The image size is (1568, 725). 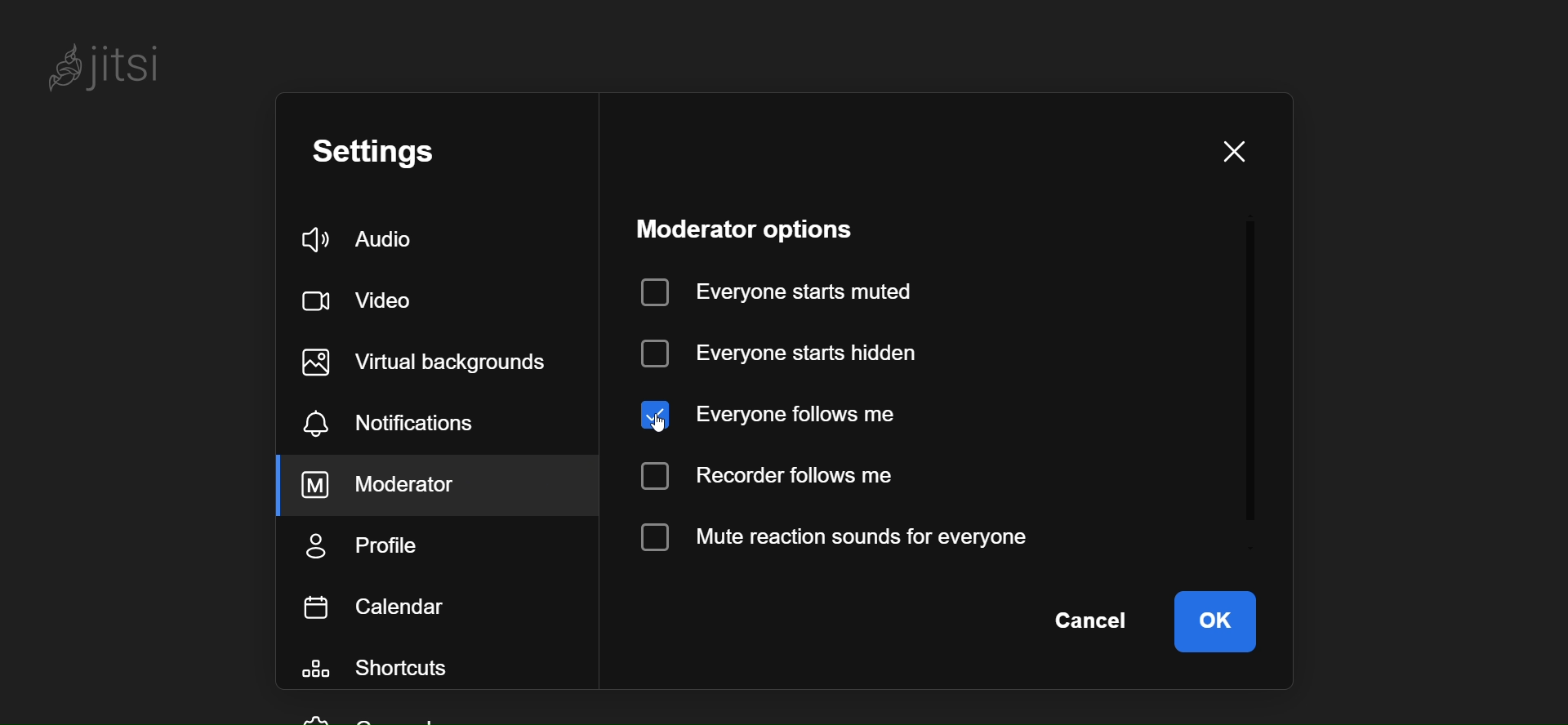 I want to click on everyone stays mute, so click(x=786, y=290).